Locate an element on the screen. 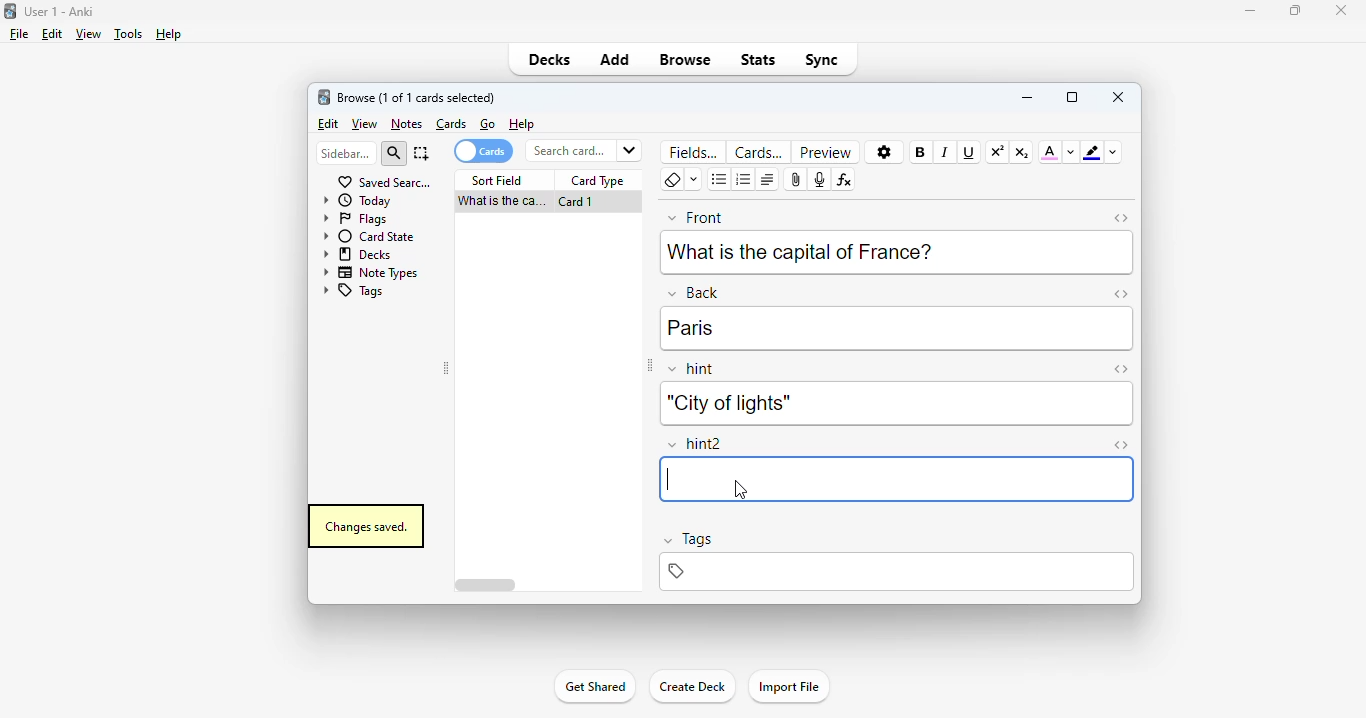 The height and width of the screenshot is (718, 1366). stats is located at coordinates (759, 59).